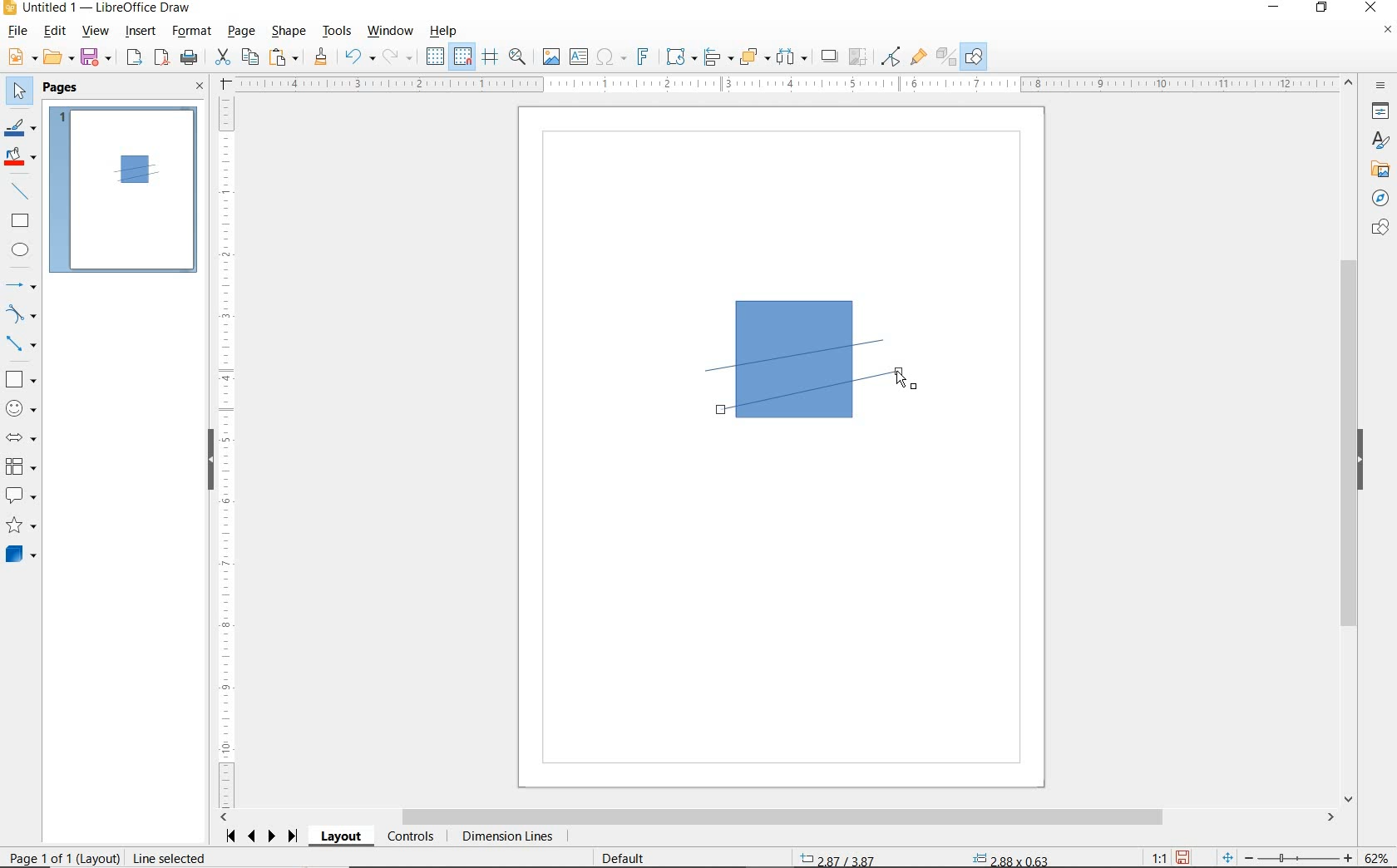 The image size is (1397, 868). What do you see at coordinates (141, 32) in the screenshot?
I see `INSERT` at bounding box center [141, 32].